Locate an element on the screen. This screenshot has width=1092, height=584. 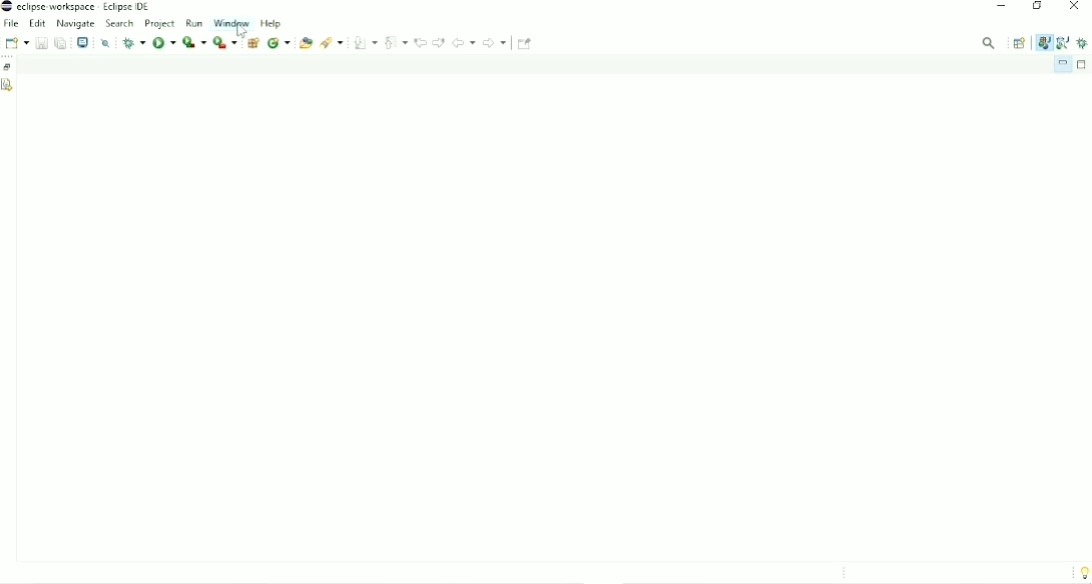
Java Browsing is located at coordinates (1063, 42).